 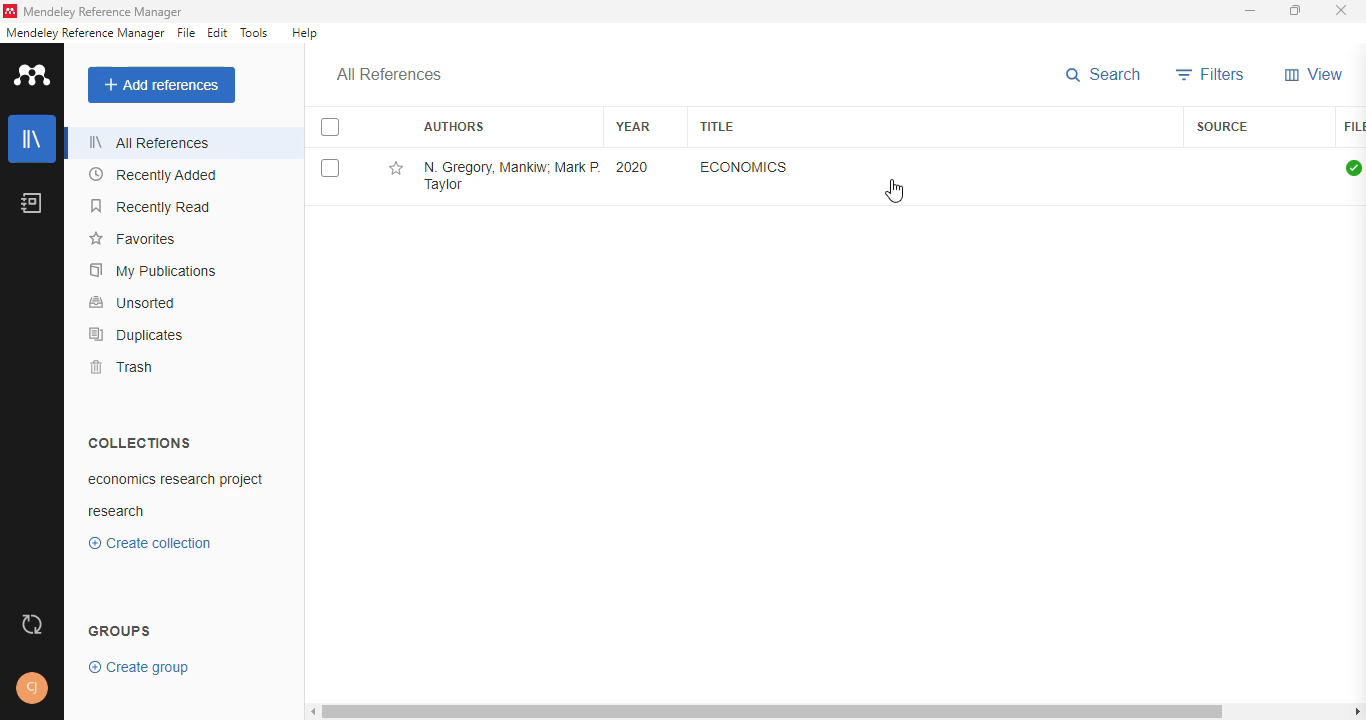 I want to click on horizontal scroll bar, so click(x=771, y=711).